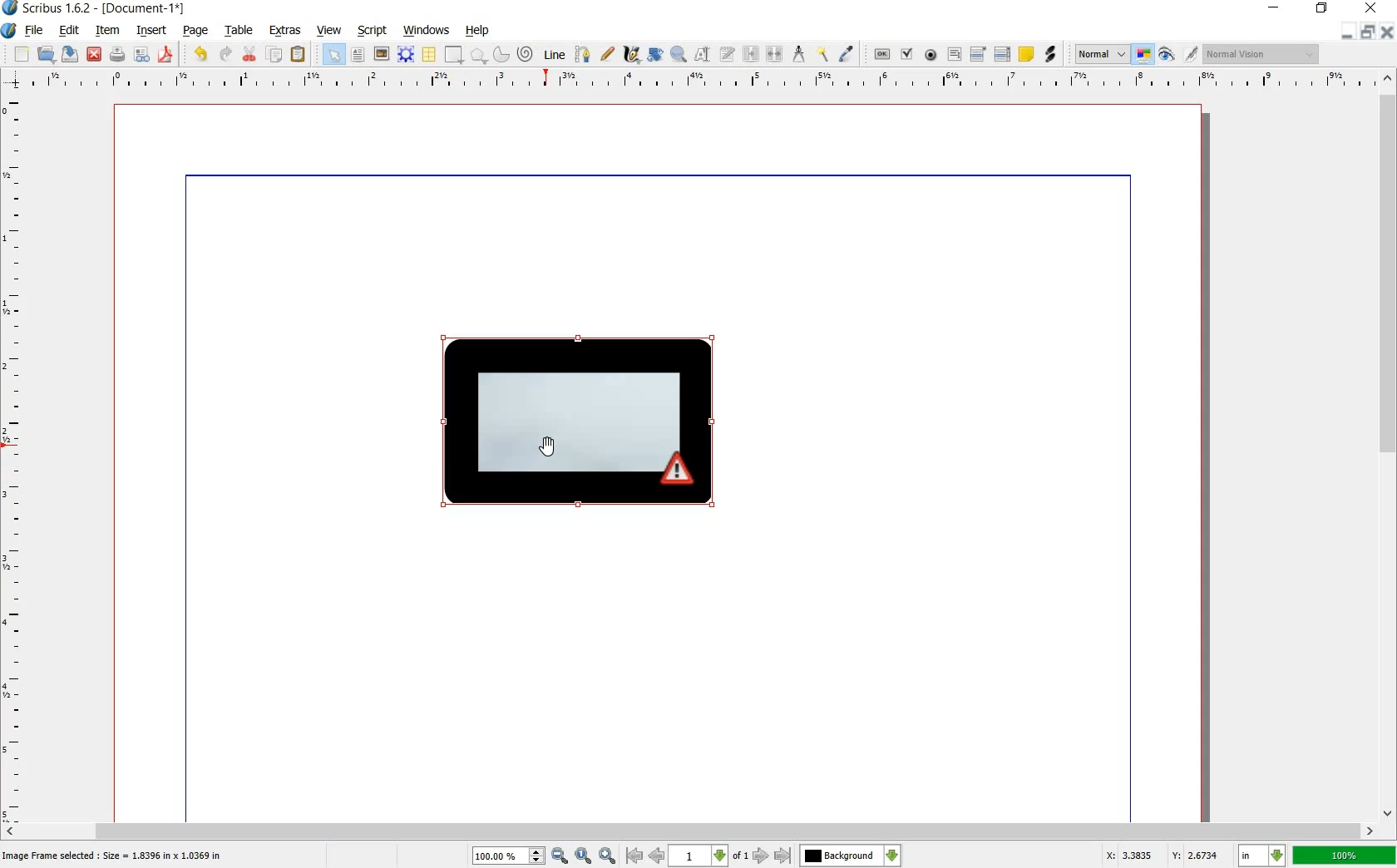 The width and height of the screenshot is (1397, 868). I want to click on extras, so click(285, 30).